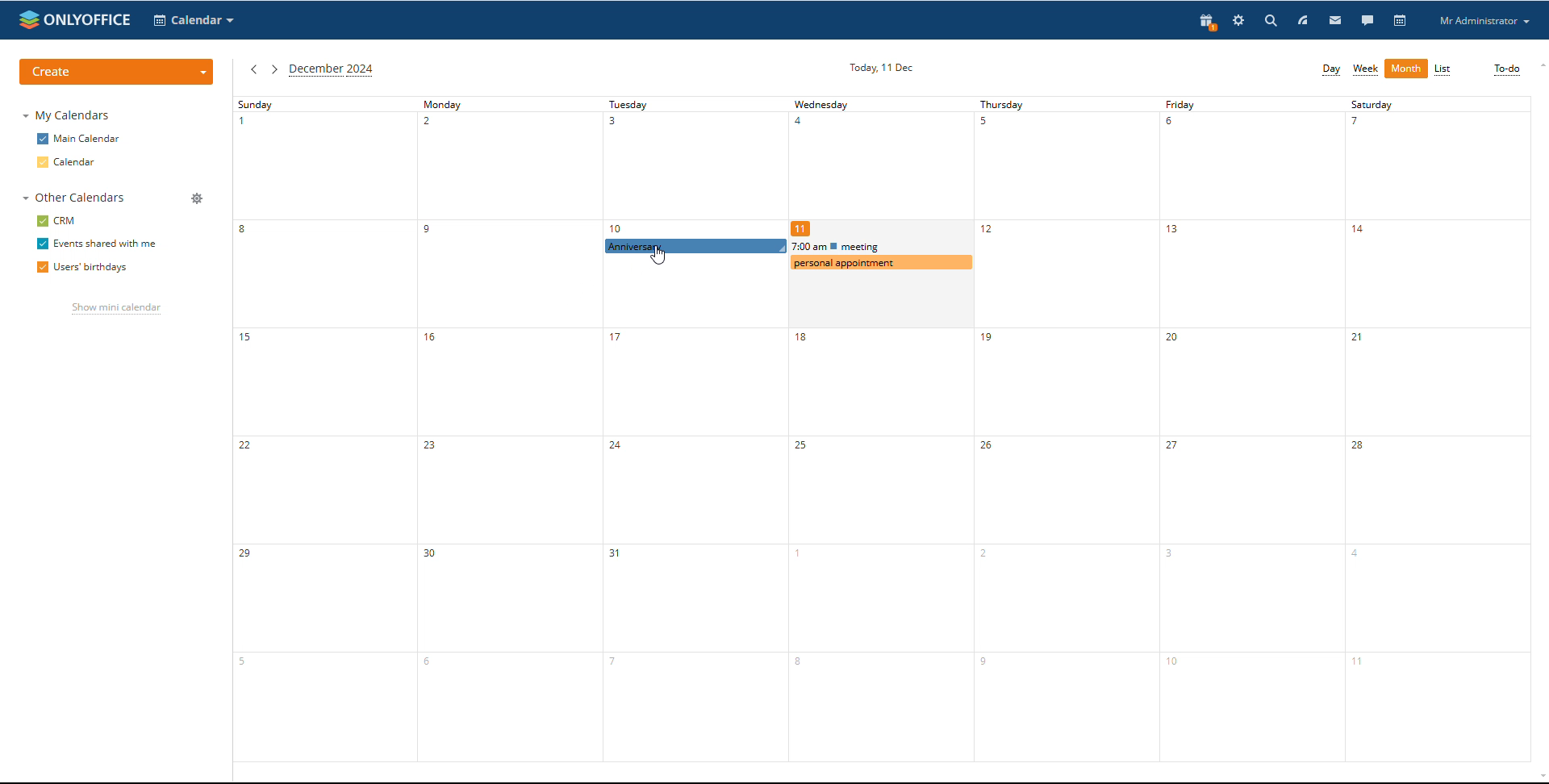 This screenshot has height=784, width=1549. I want to click on tuesday, so click(695, 428).